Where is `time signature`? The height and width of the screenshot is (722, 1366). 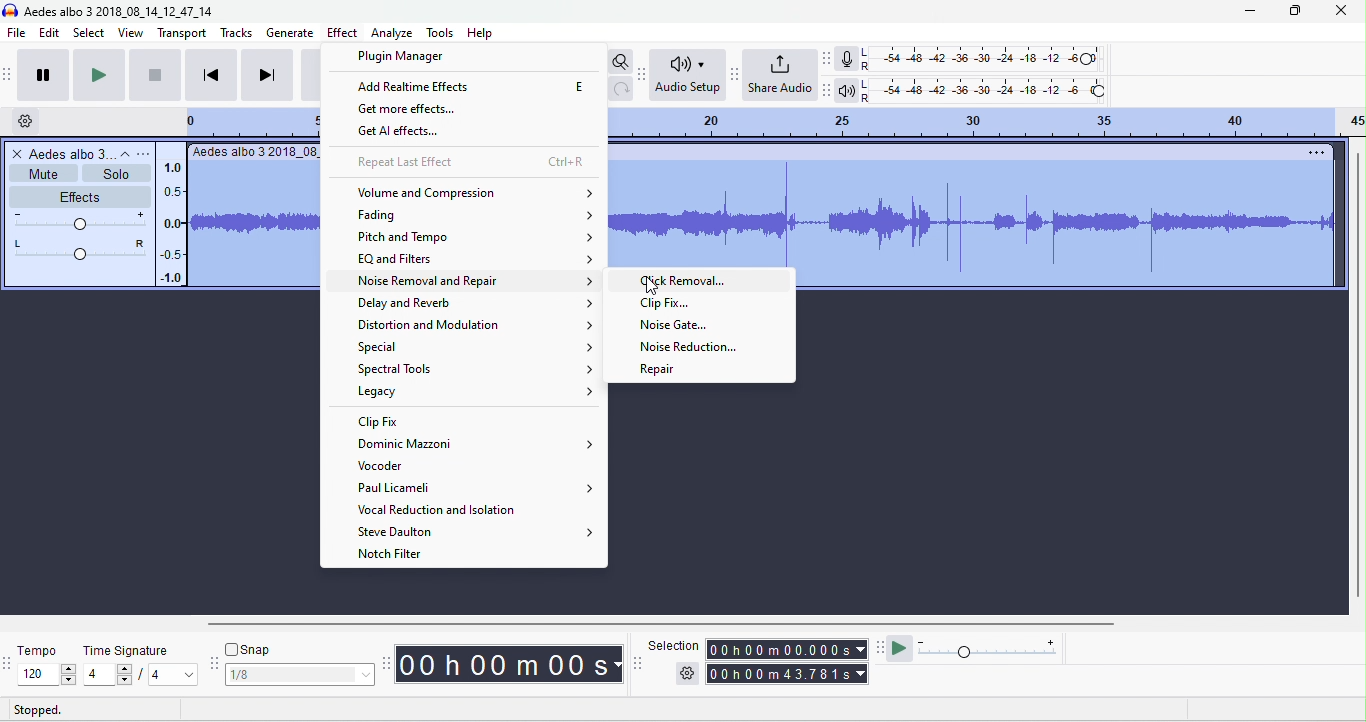
time signature is located at coordinates (127, 650).